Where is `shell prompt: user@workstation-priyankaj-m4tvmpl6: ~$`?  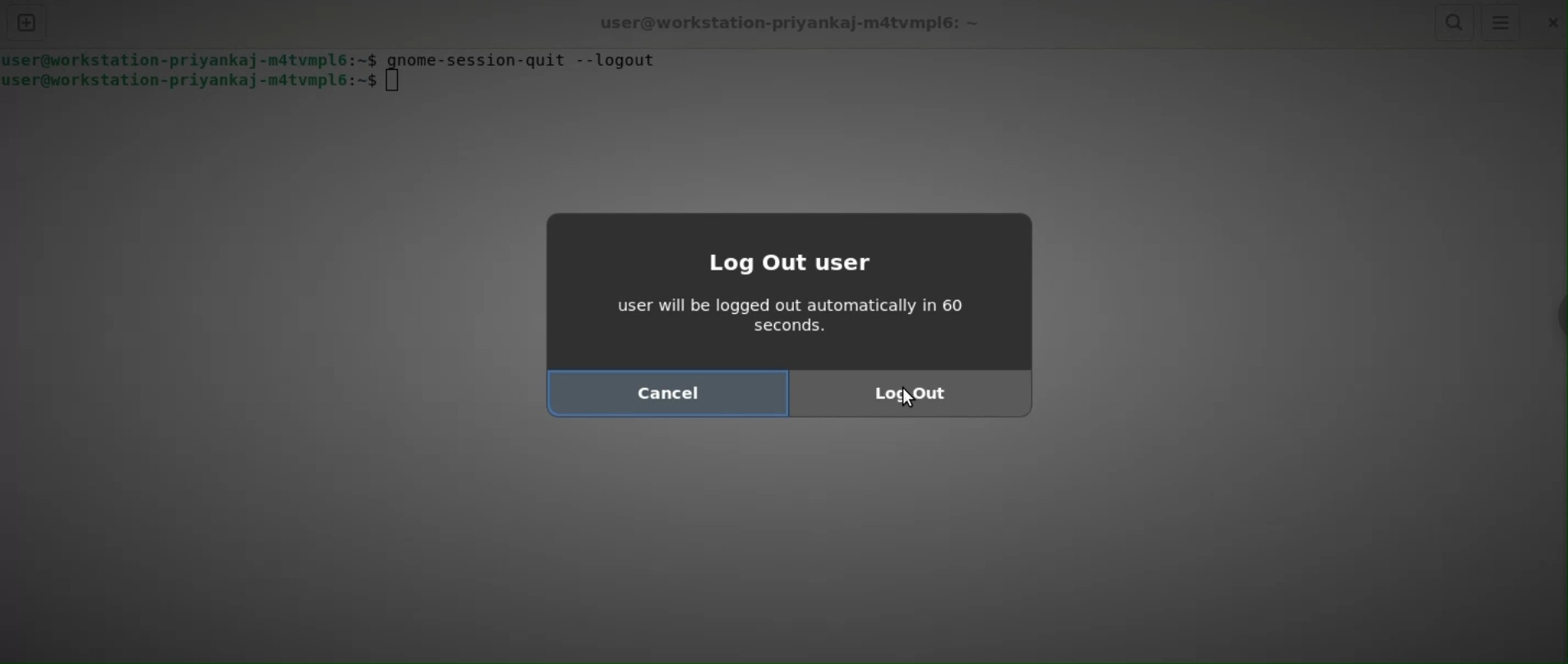 shell prompt: user@workstation-priyankaj-m4tvmpl6: ~$ is located at coordinates (201, 84).